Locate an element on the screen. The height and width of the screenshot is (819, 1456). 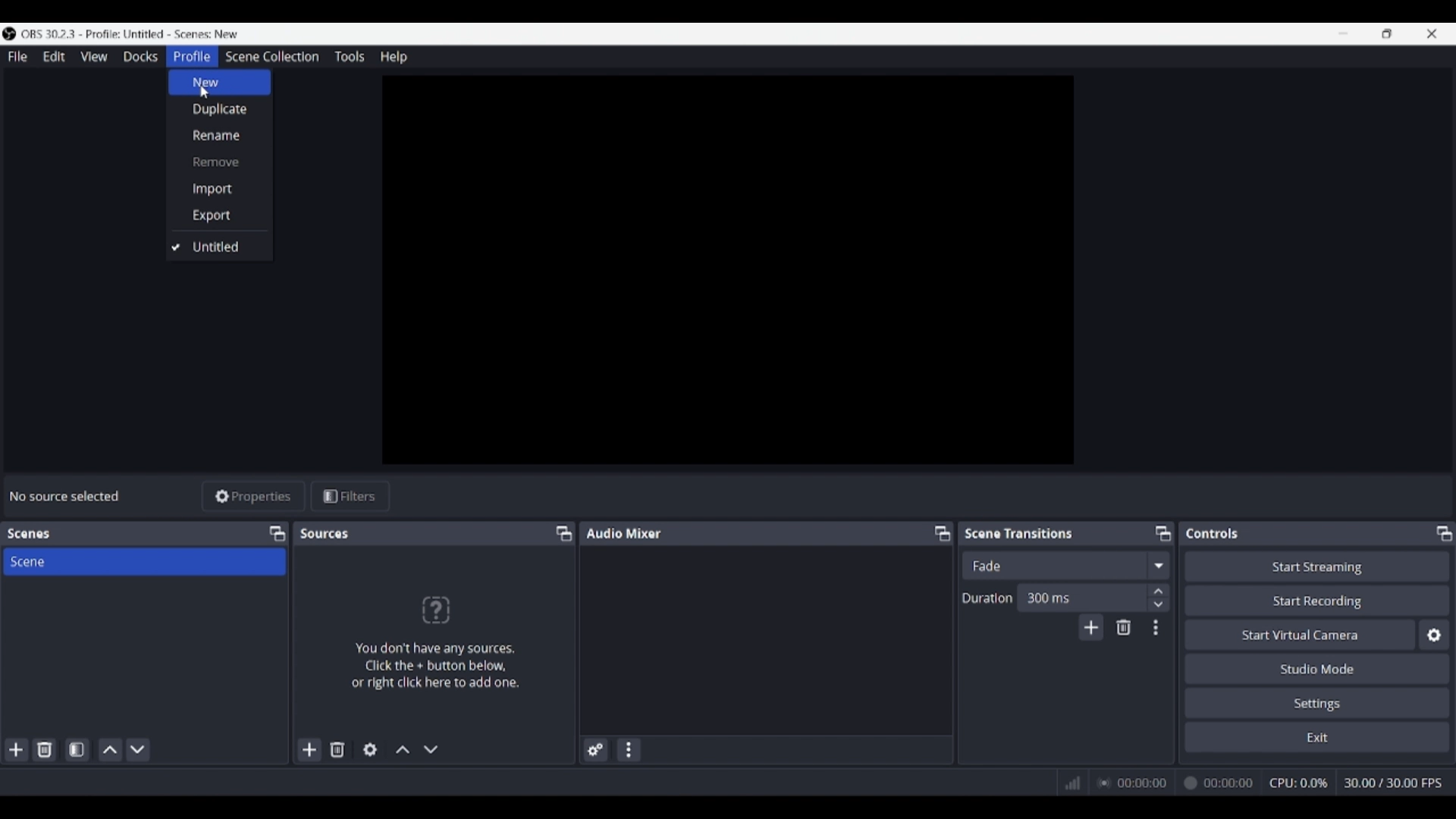
Fade options is located at coordinates (1158, 565).